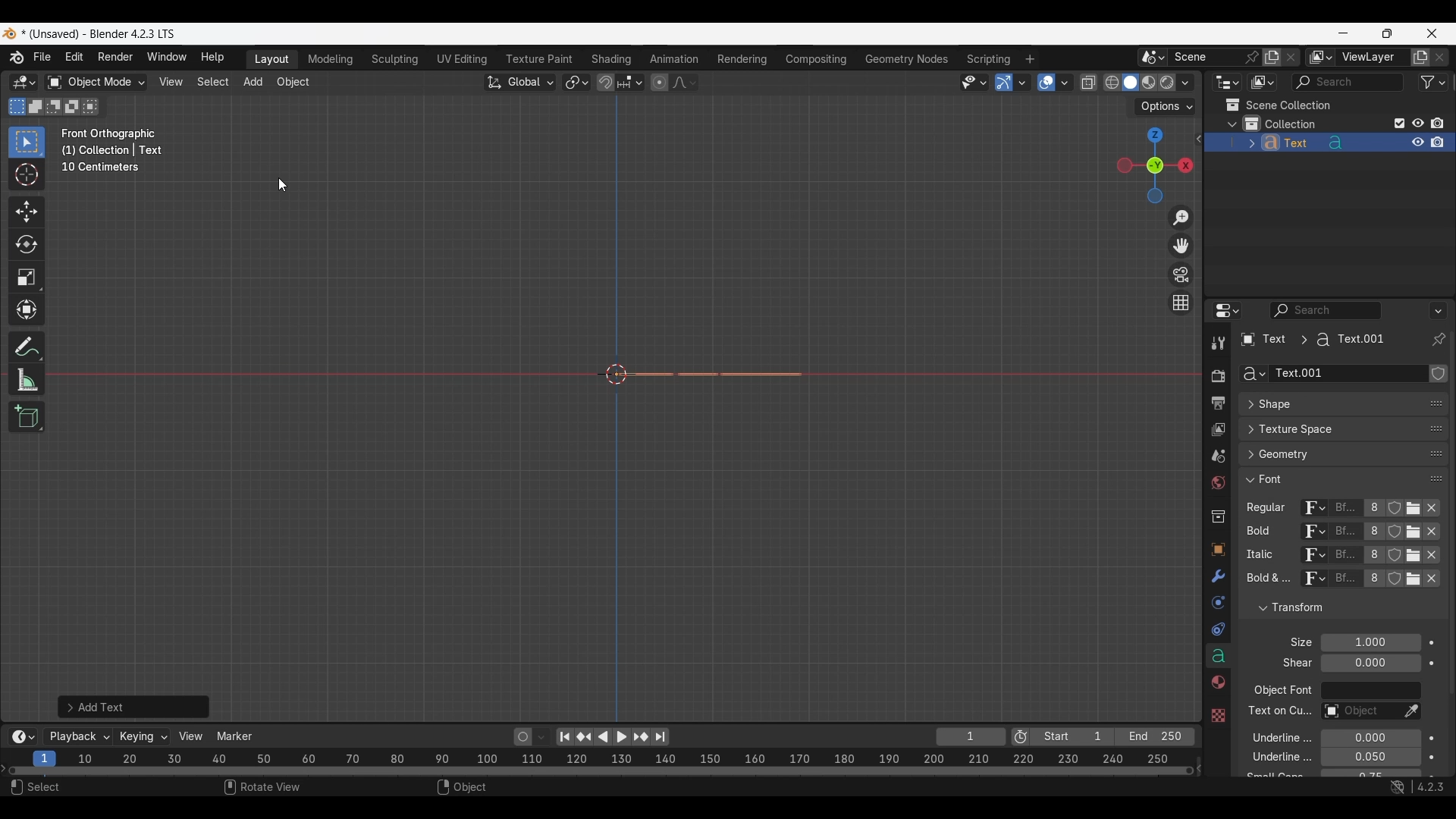  I want to click on Select menu, so click(213, 83).